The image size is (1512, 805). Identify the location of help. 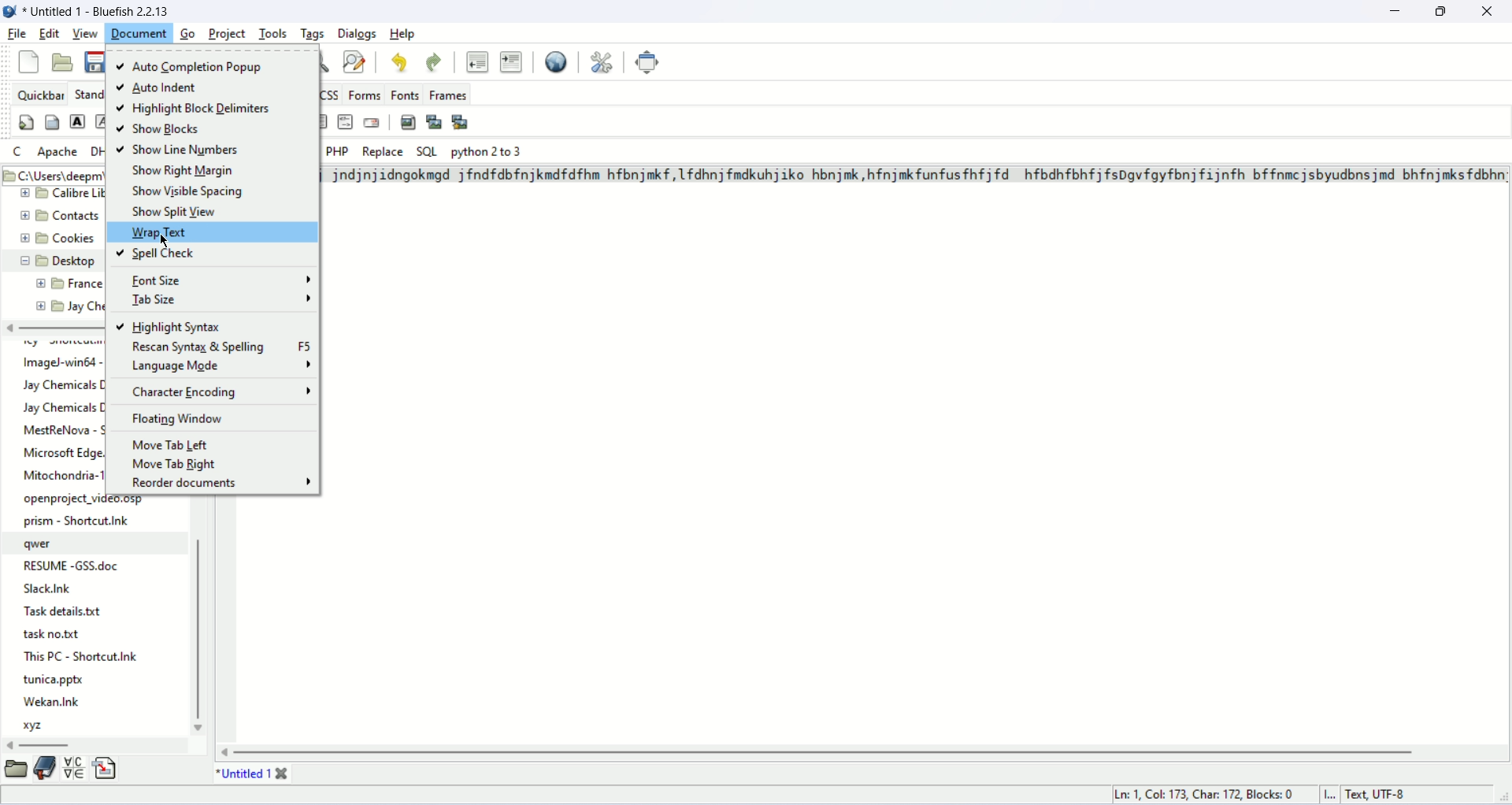
(407, 33).